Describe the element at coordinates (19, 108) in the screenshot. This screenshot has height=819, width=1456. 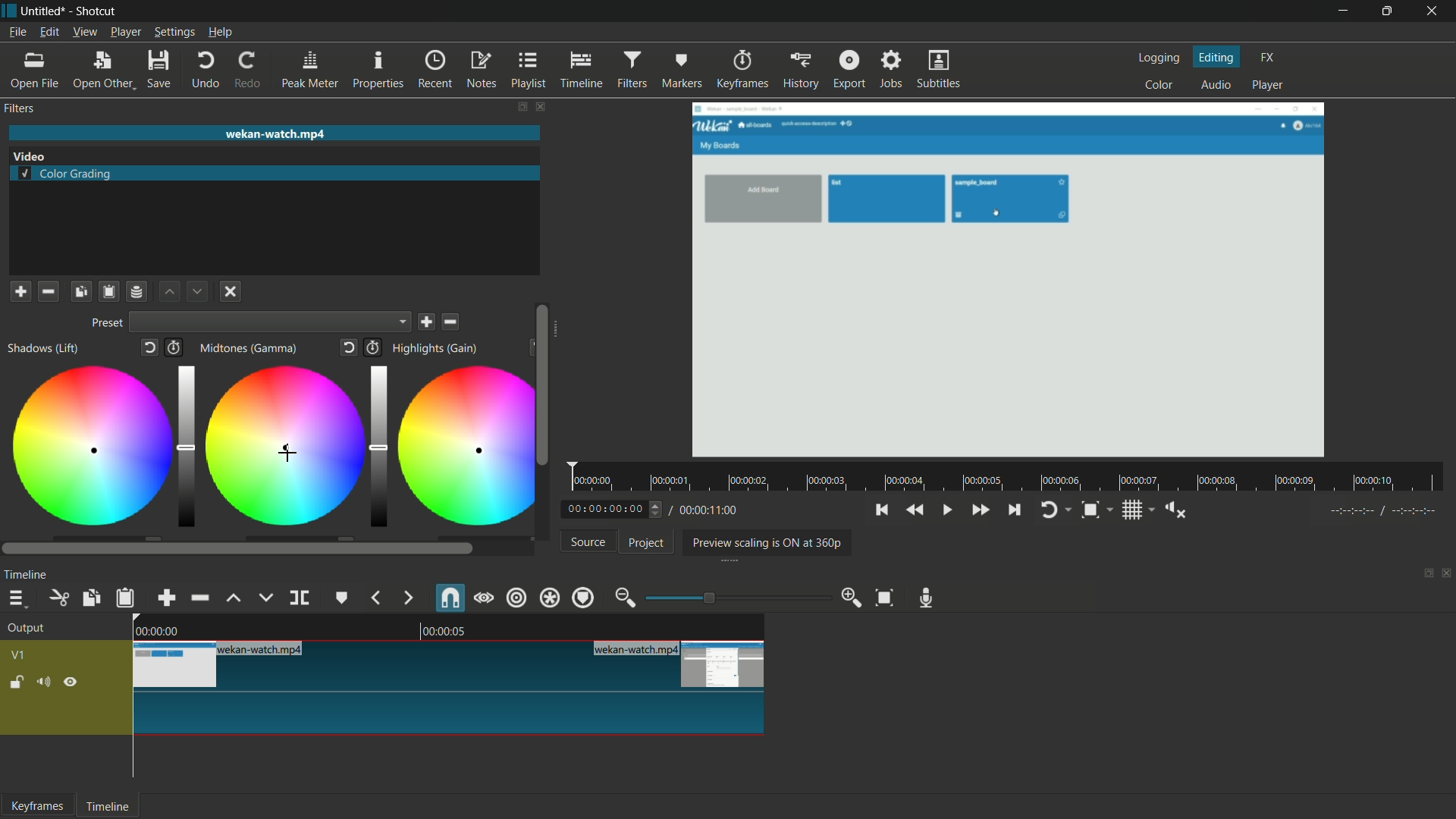
I see `filters` at that location.